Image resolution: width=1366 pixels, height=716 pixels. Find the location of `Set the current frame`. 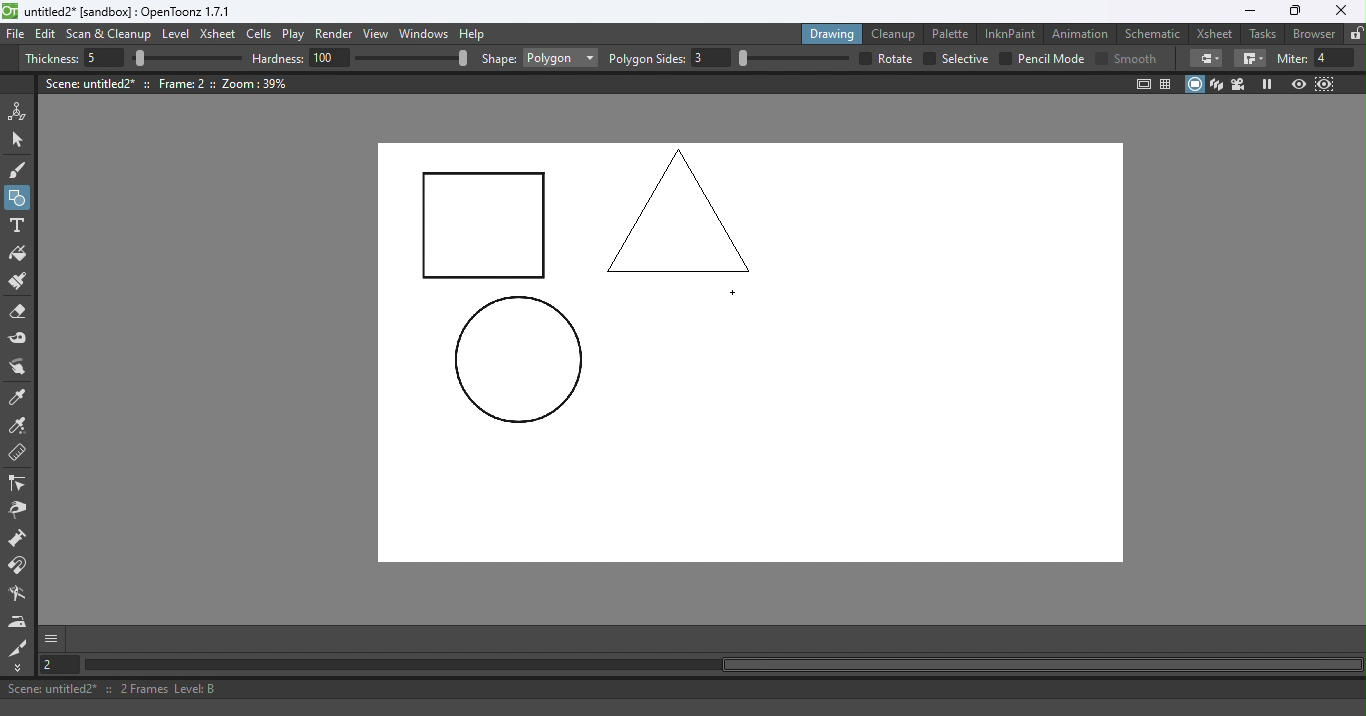

Set the current frame is located at coordinates (57, 664).